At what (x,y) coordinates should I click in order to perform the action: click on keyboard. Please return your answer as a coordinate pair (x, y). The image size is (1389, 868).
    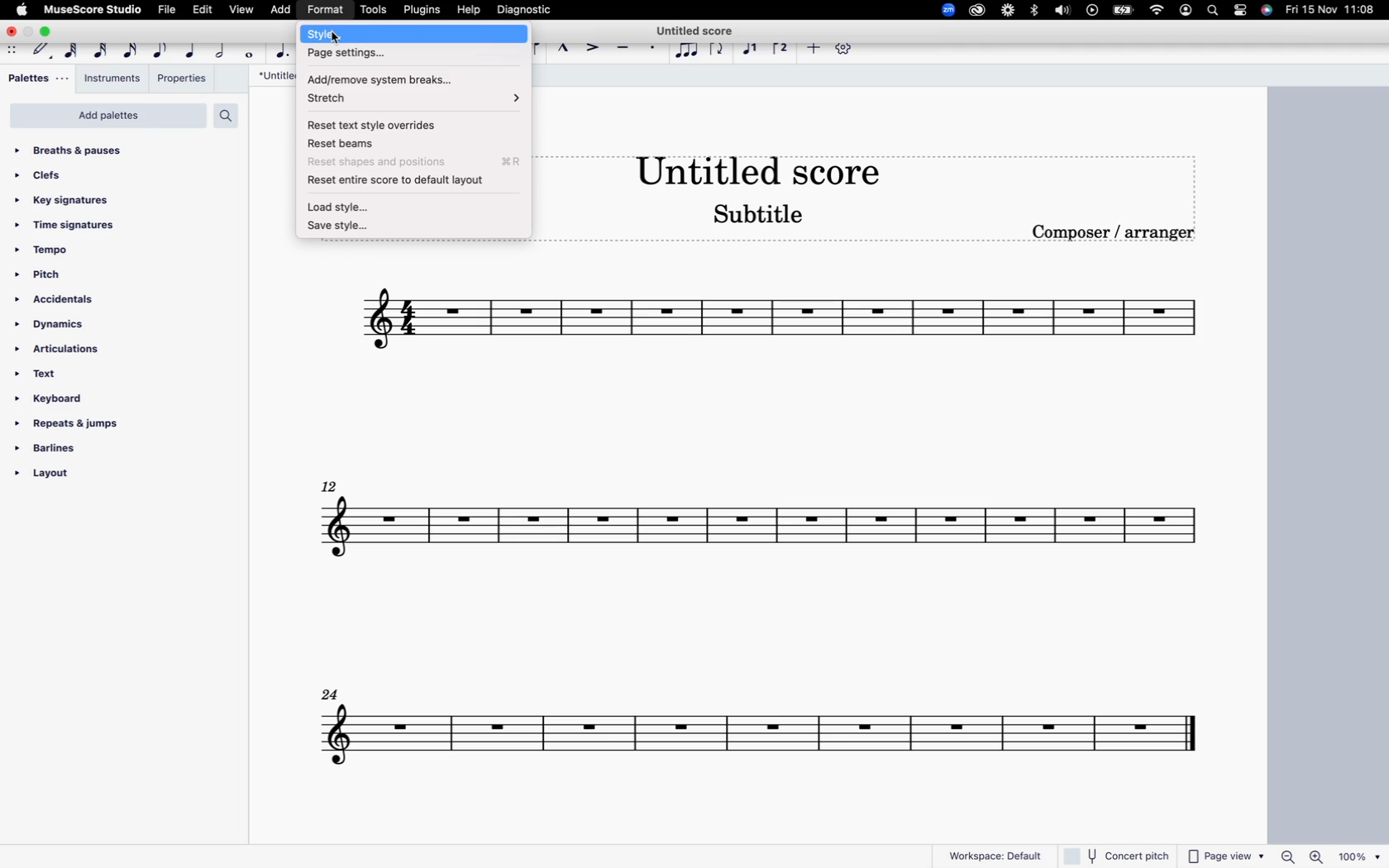
    Looking at the image, I should click on (51, 398).